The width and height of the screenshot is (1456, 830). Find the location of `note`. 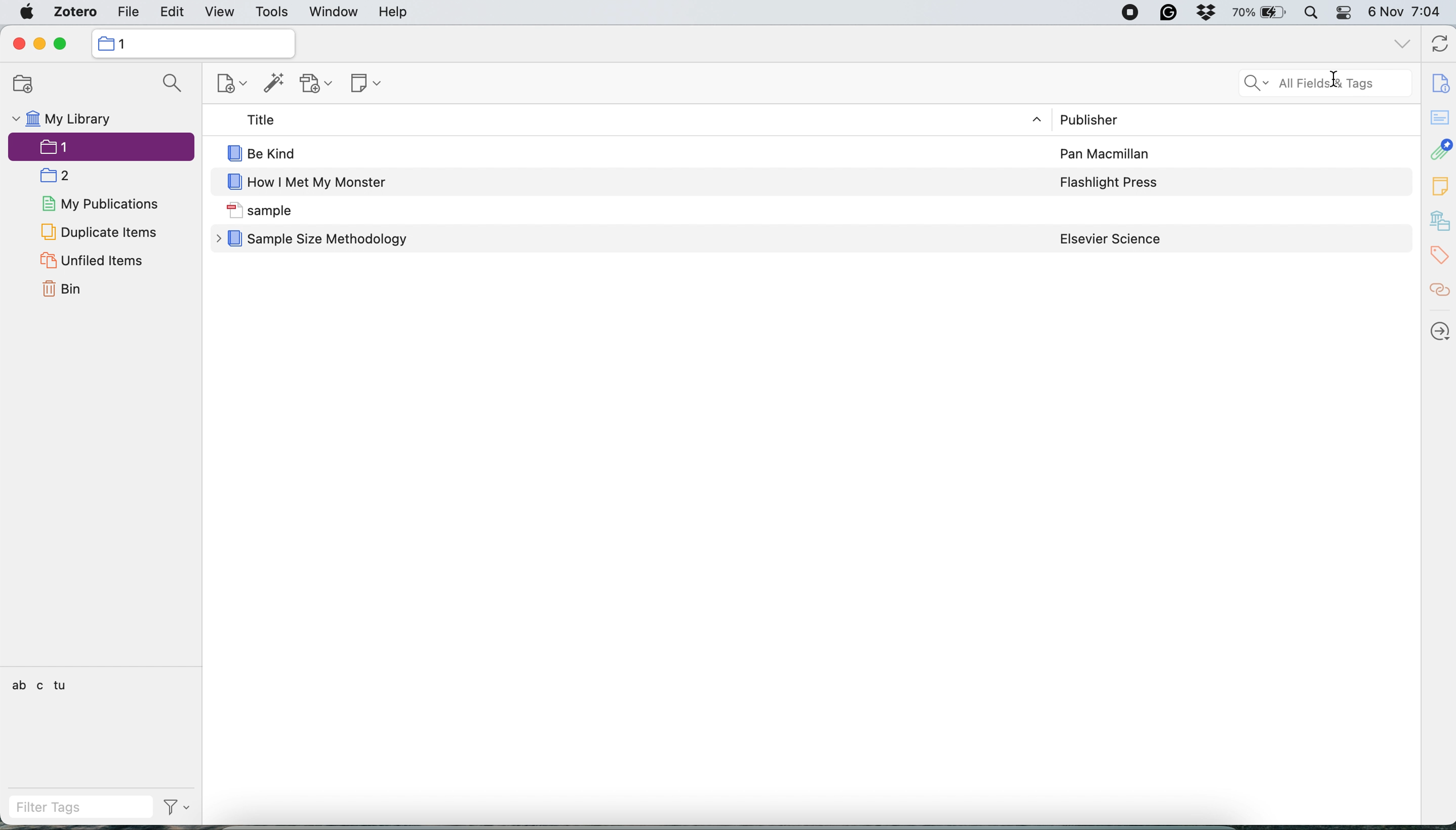

note is located at coordinates (365, 85).